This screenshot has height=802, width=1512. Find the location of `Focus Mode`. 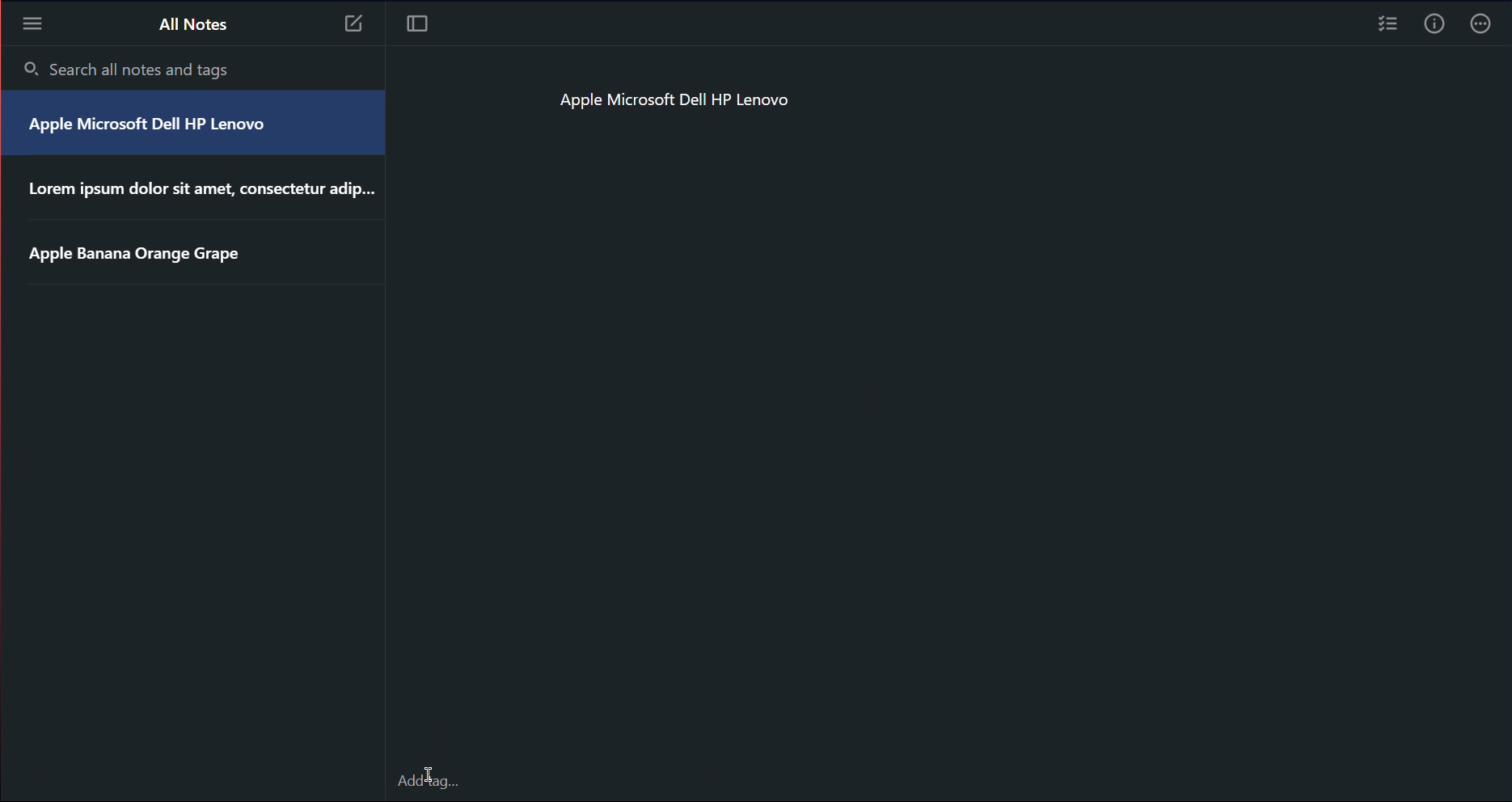

Focus Mode is located at coordinates (419, 24).